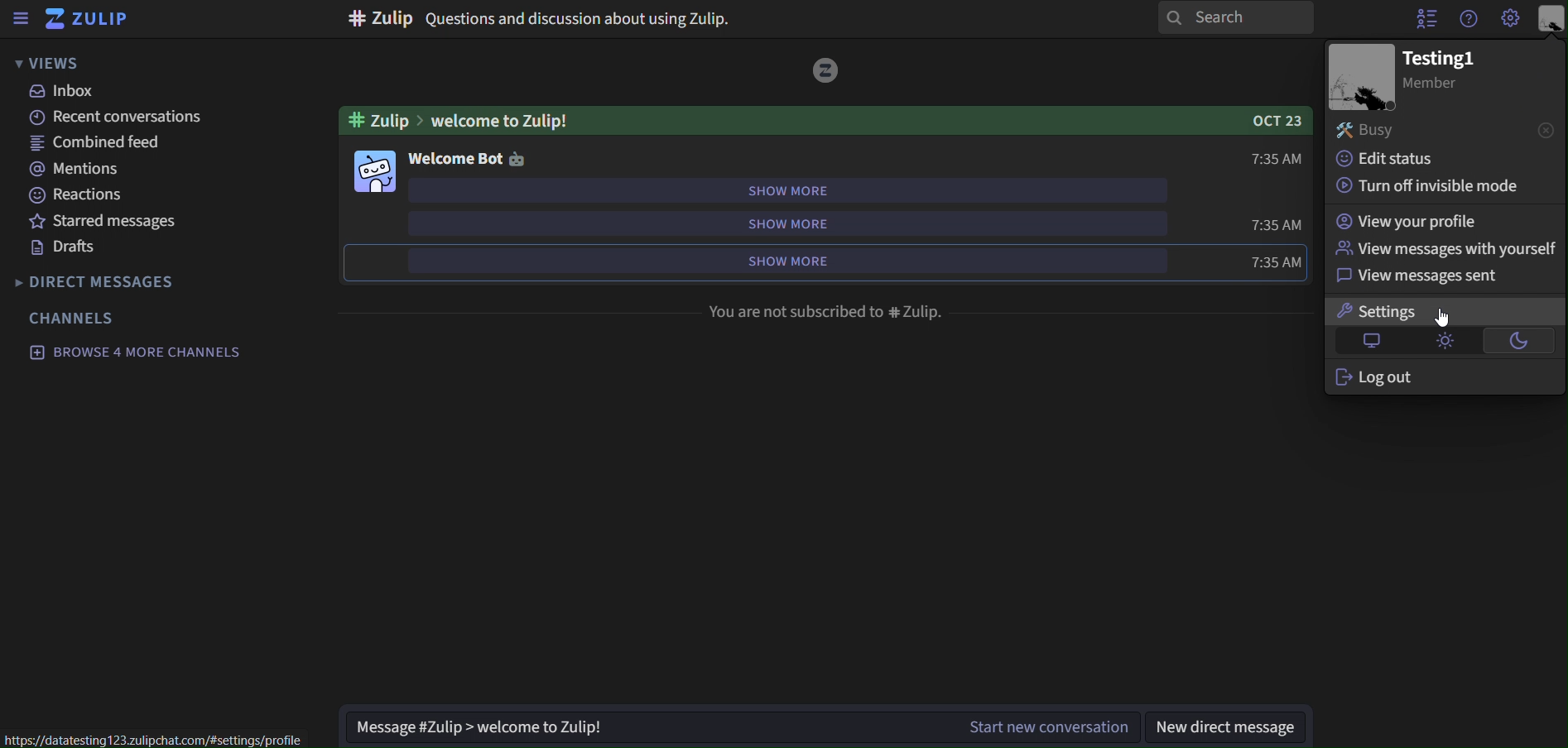 The image size is (1568, 748). Describe the element at coordinates (95, 20) in the screenshot. I see `zulip` at that location.